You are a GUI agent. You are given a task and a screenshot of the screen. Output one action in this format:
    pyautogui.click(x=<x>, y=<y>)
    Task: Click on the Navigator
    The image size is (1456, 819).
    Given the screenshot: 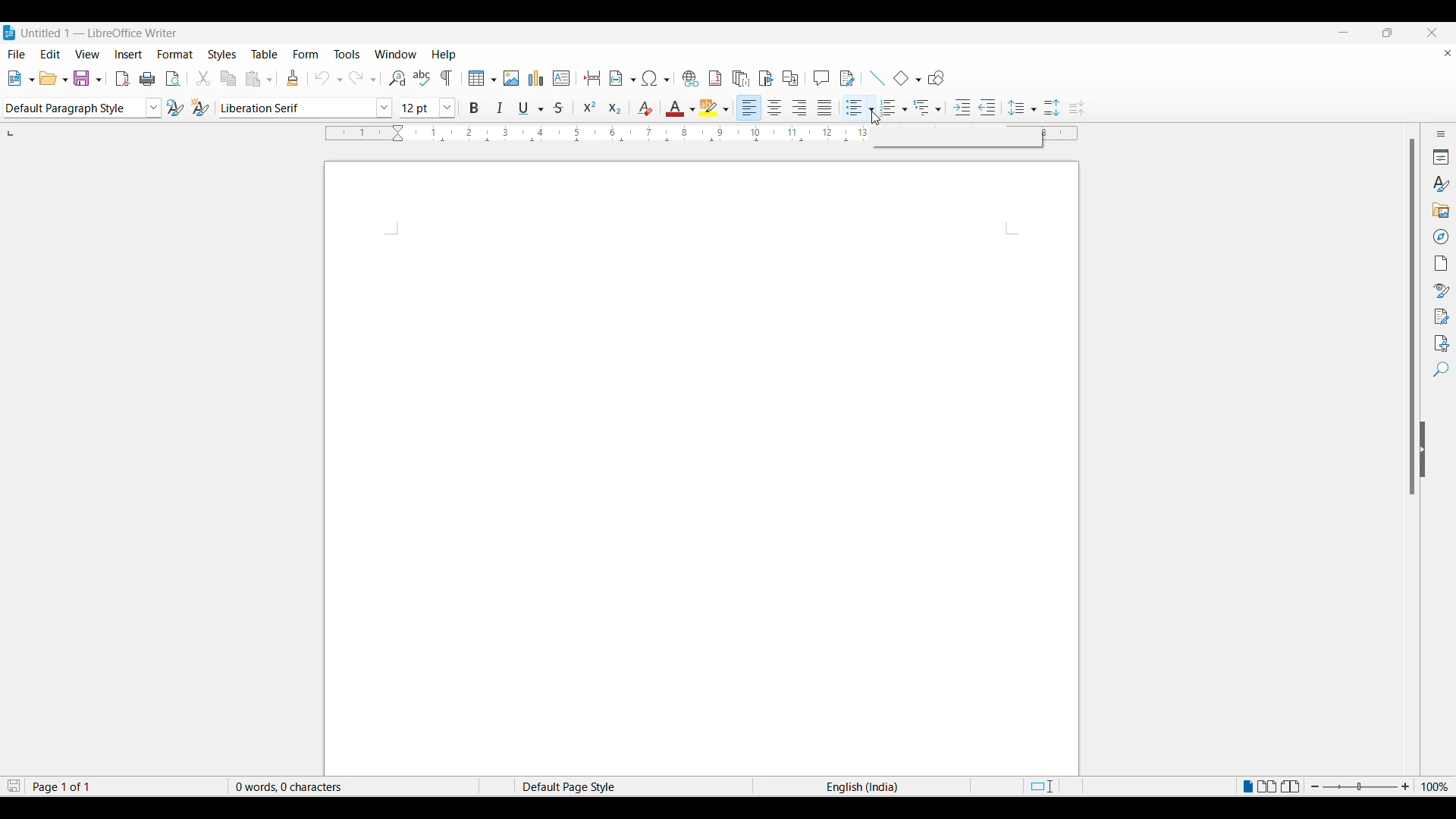 What is the action you would take?
    pyautogui.click(x=1439, y=236)
    